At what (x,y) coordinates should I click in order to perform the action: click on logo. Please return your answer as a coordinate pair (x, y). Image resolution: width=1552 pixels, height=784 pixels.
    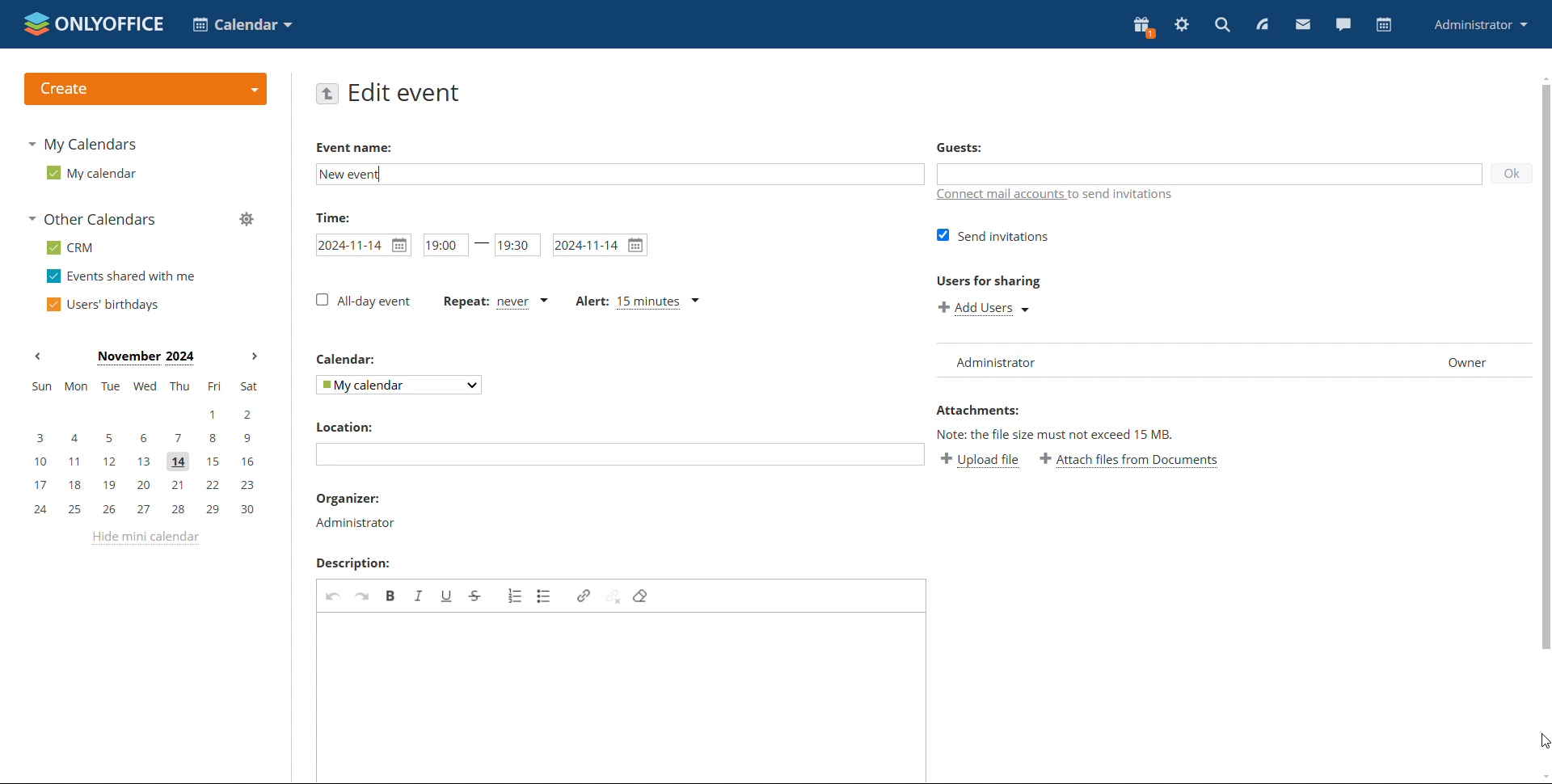
    Looking at the image, I should click on (147, 89).